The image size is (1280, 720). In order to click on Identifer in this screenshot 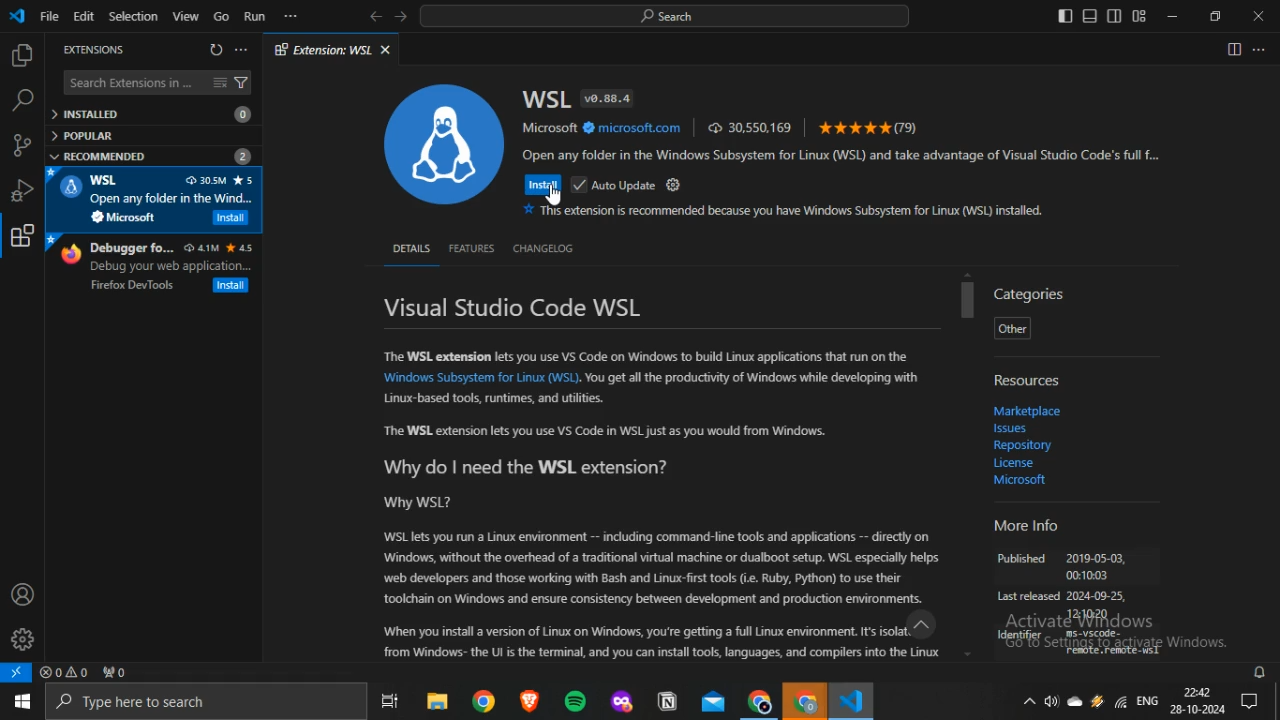, I will do `click(1020, 634)`.